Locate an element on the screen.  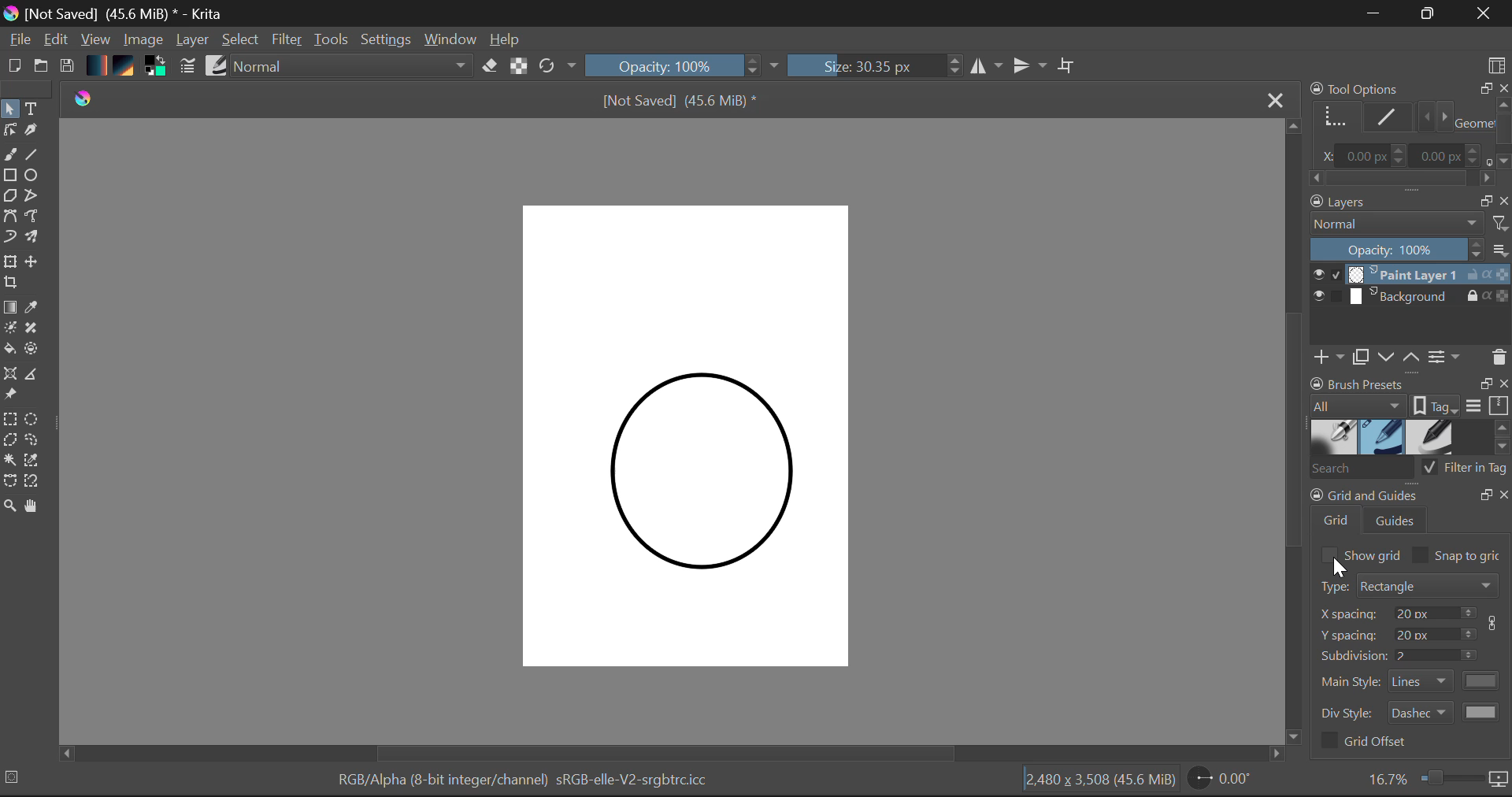
Scroll Bar is located at coordinates (674, 752).